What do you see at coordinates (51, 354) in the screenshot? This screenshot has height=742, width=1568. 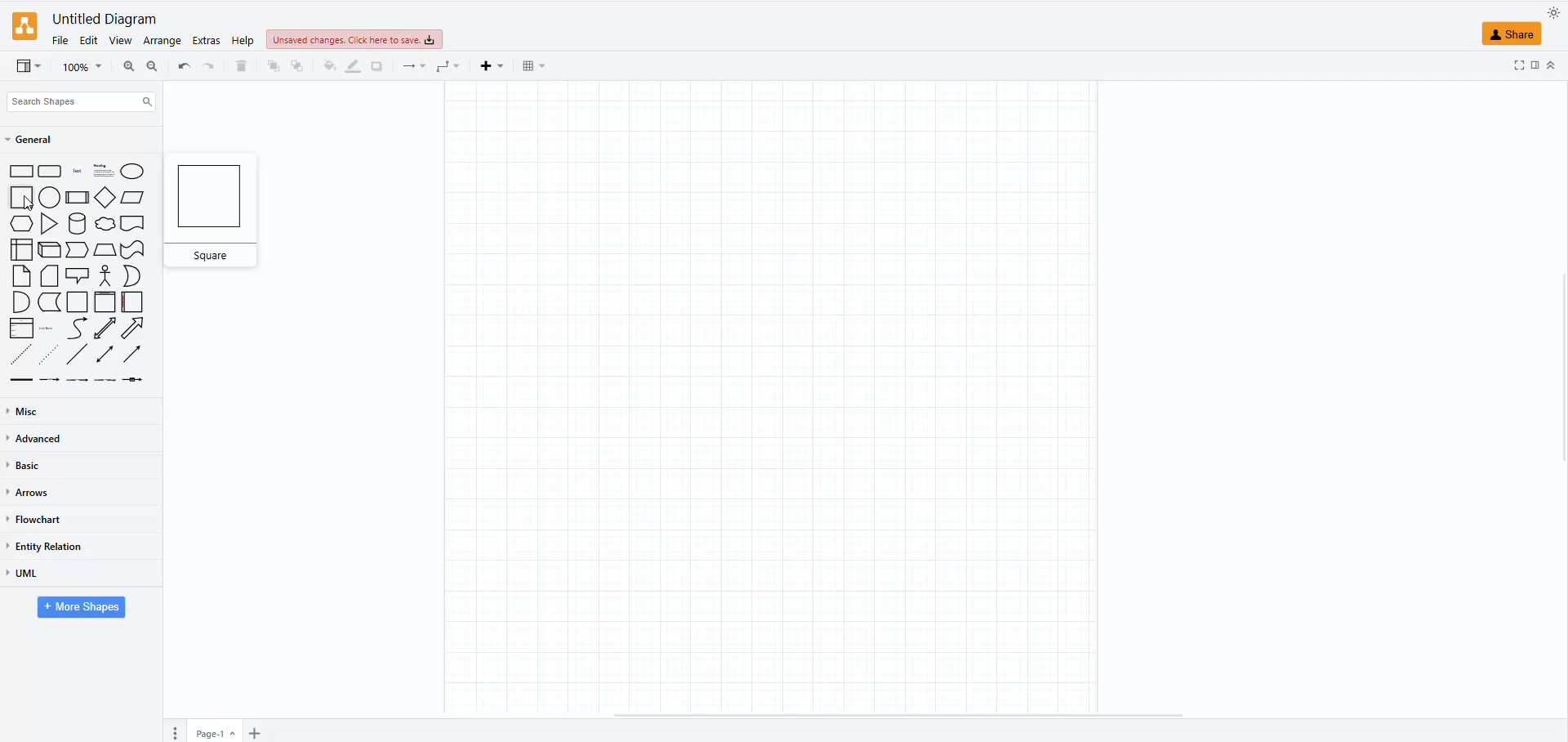 I see `dotted line` at bounding box center [51, 354].